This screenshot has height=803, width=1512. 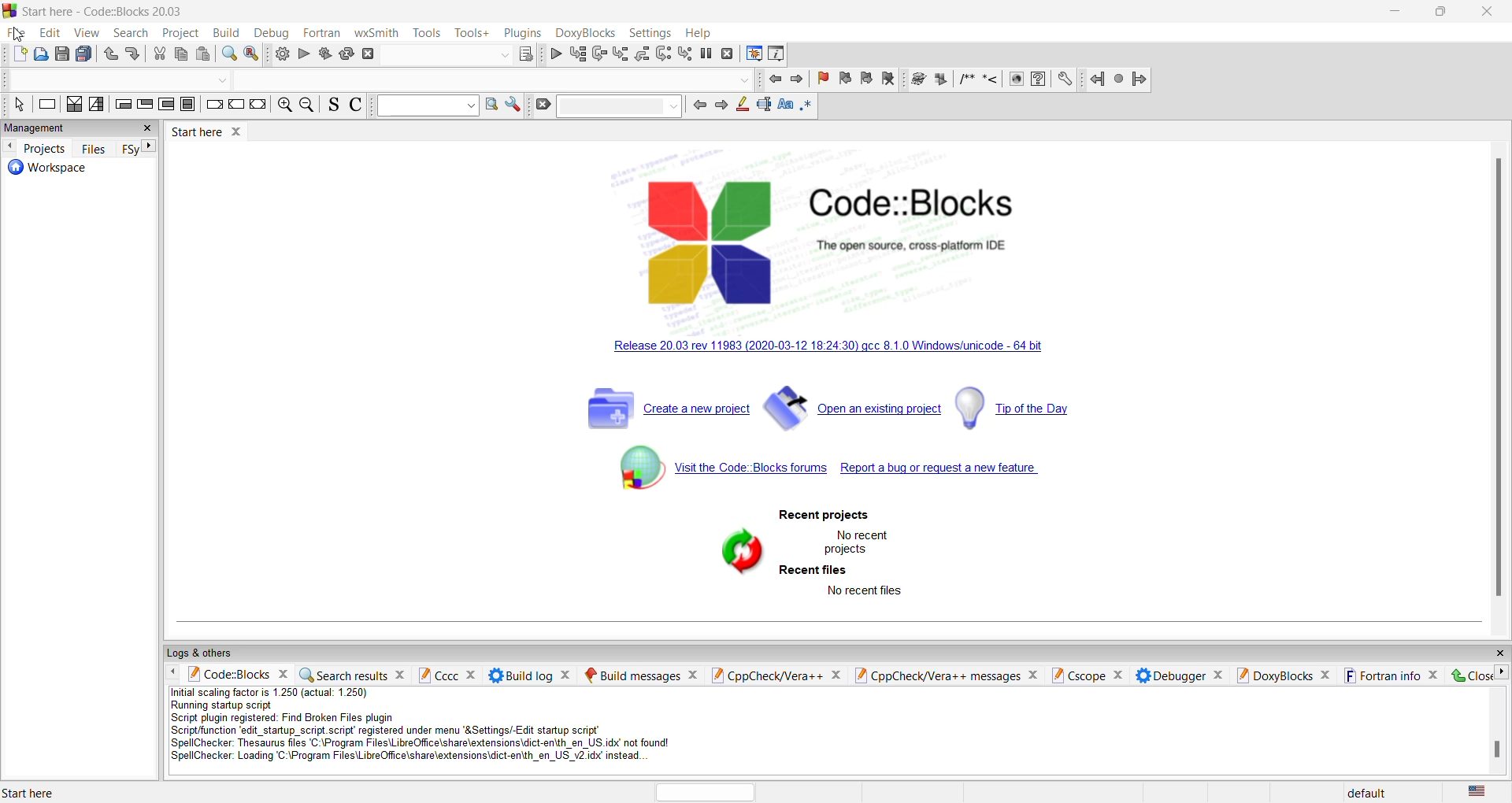 What do you see at coordinates (237, 103) in the screenshot?
I see `continue instruction` at bounding box center [237, 103].